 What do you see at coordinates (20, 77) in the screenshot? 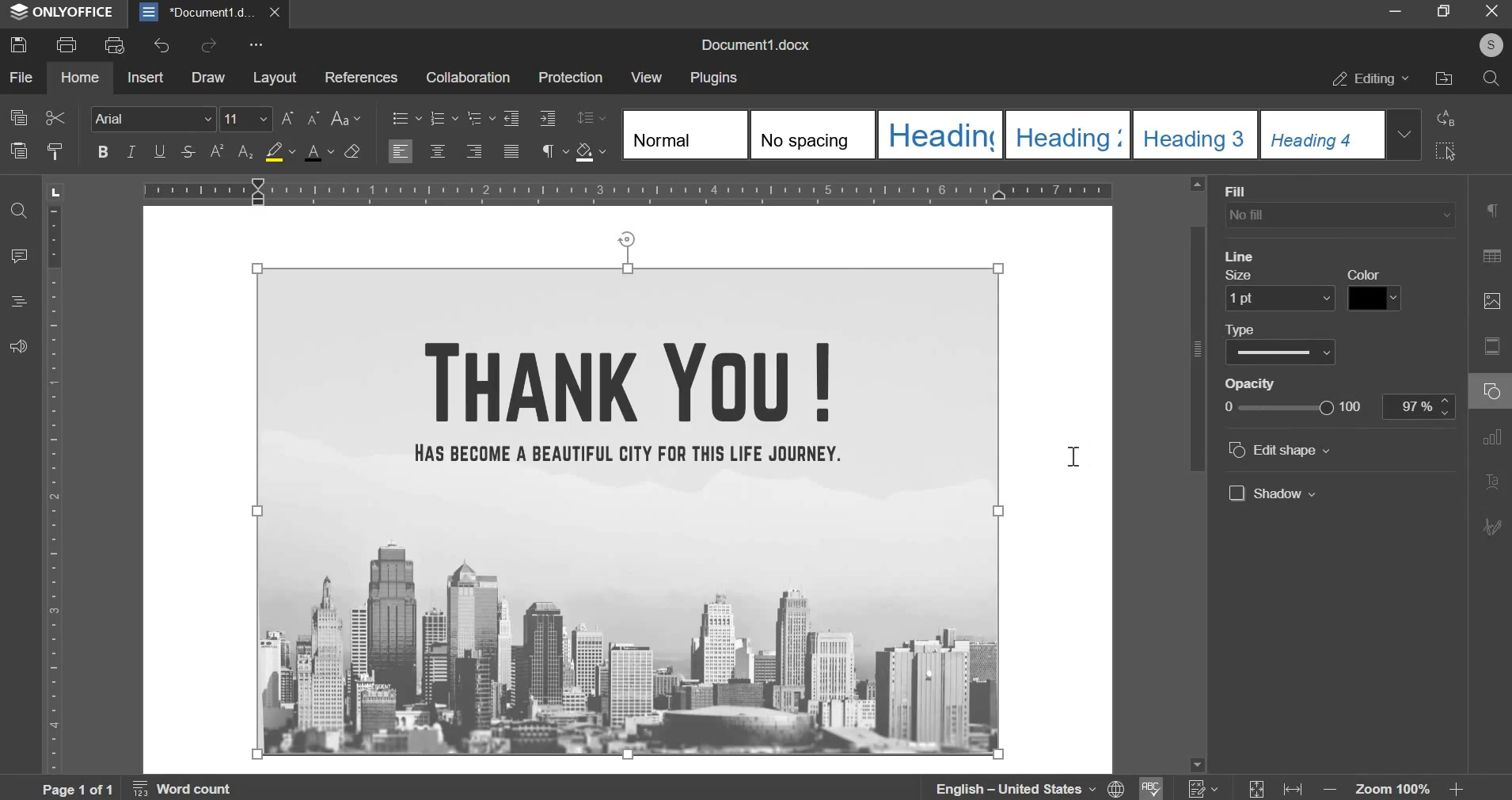
I see `file` at bounding box center [20, 77].